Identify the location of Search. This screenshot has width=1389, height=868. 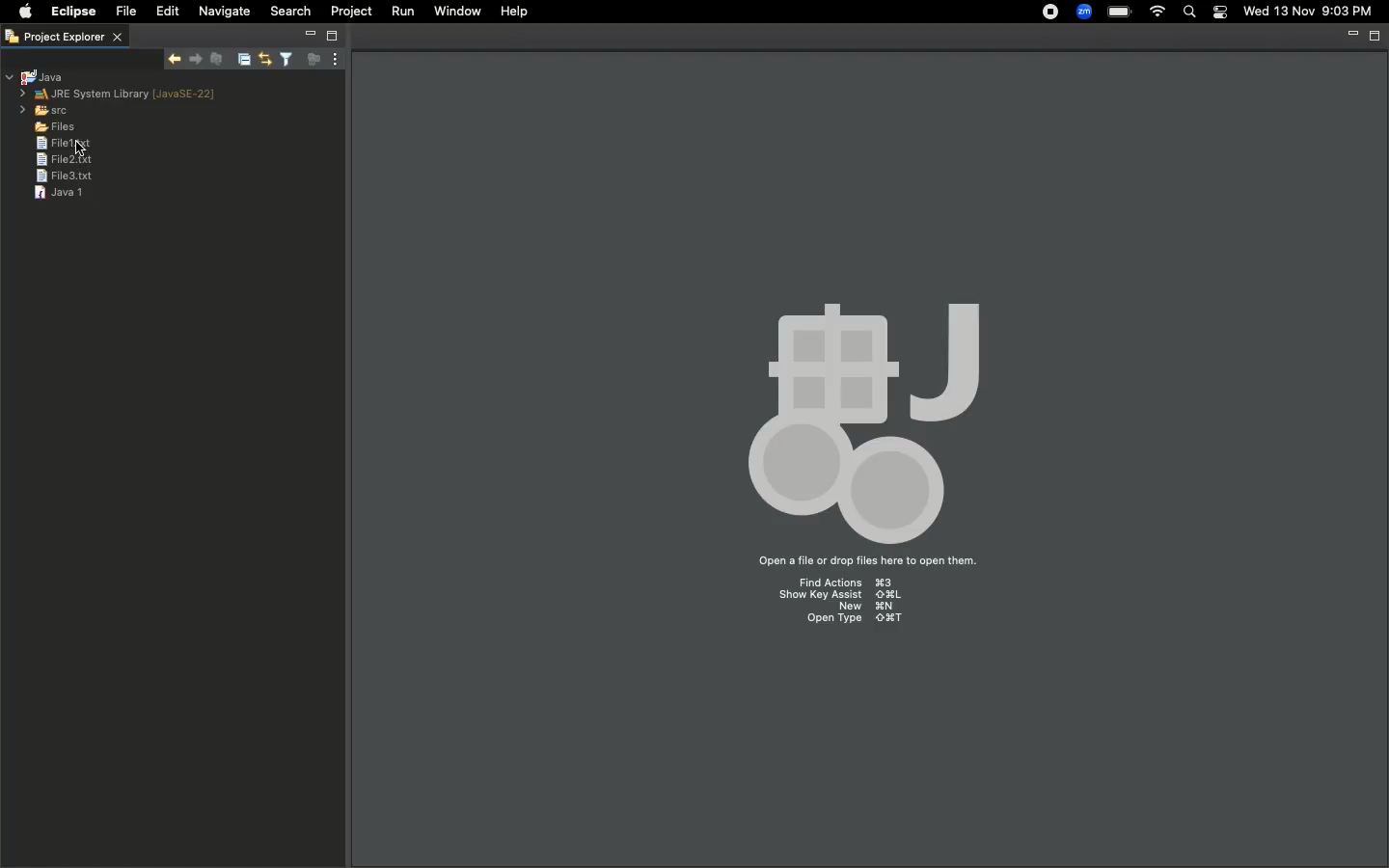
(291, 11).